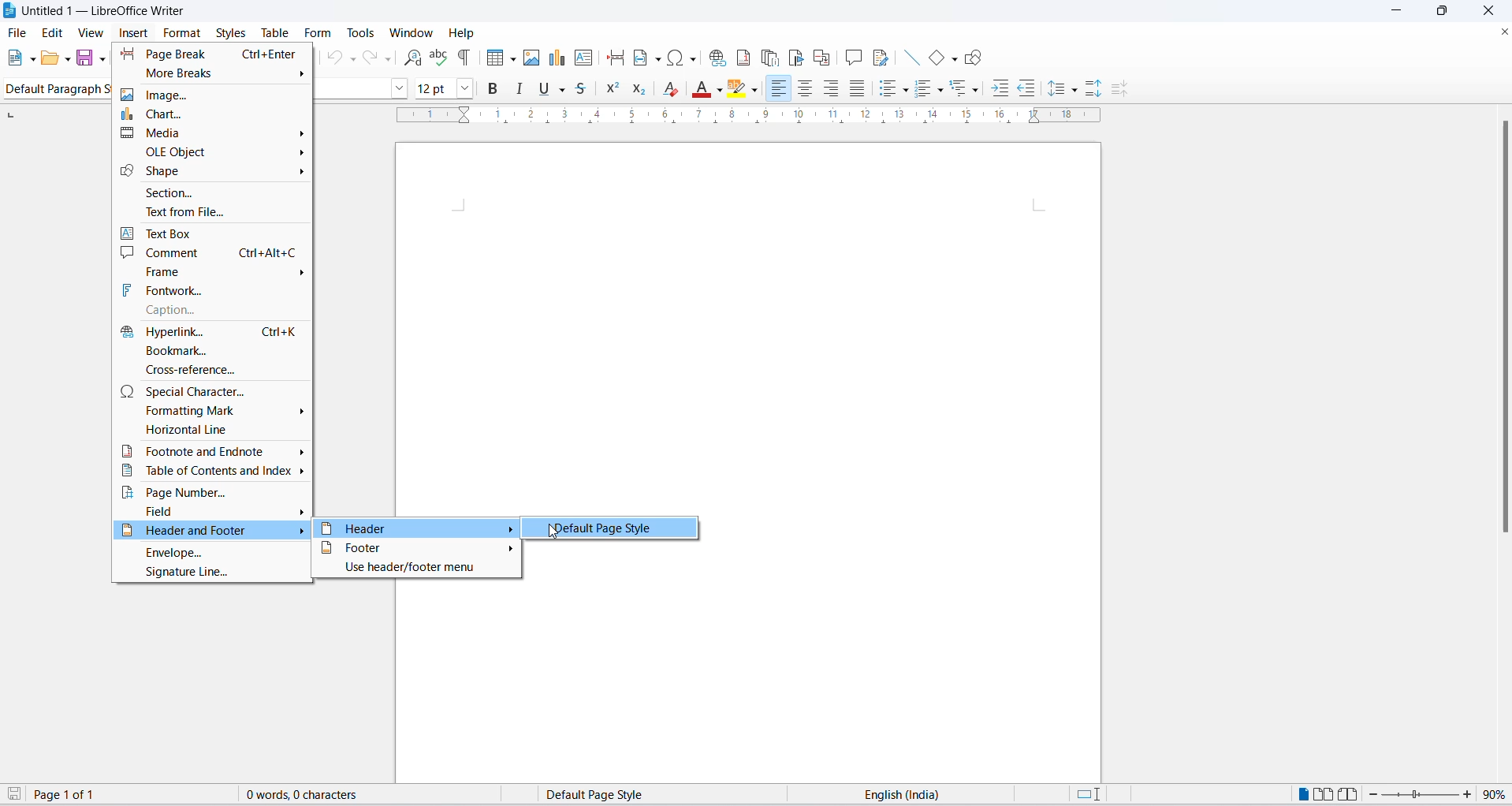 The width and height of the screenshot is (1512, 806). What do you see at coordinates (102, 59) in the screenshot?
I see `save options` at bounding box center [102, 59].